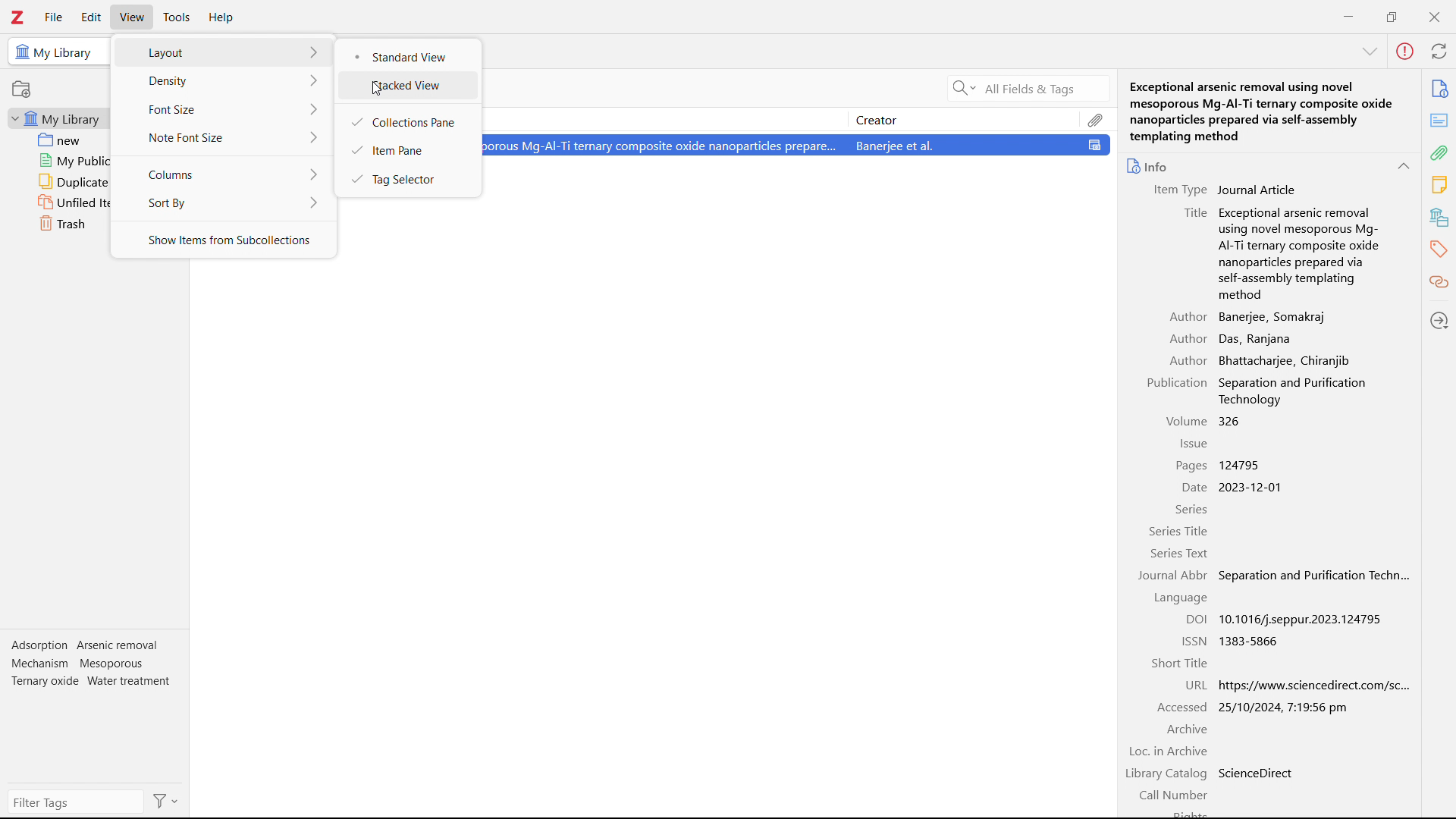 Image resolution: width=1456 pixels, height=819 pixels. I want to click on Archive, so click(1185, 729).